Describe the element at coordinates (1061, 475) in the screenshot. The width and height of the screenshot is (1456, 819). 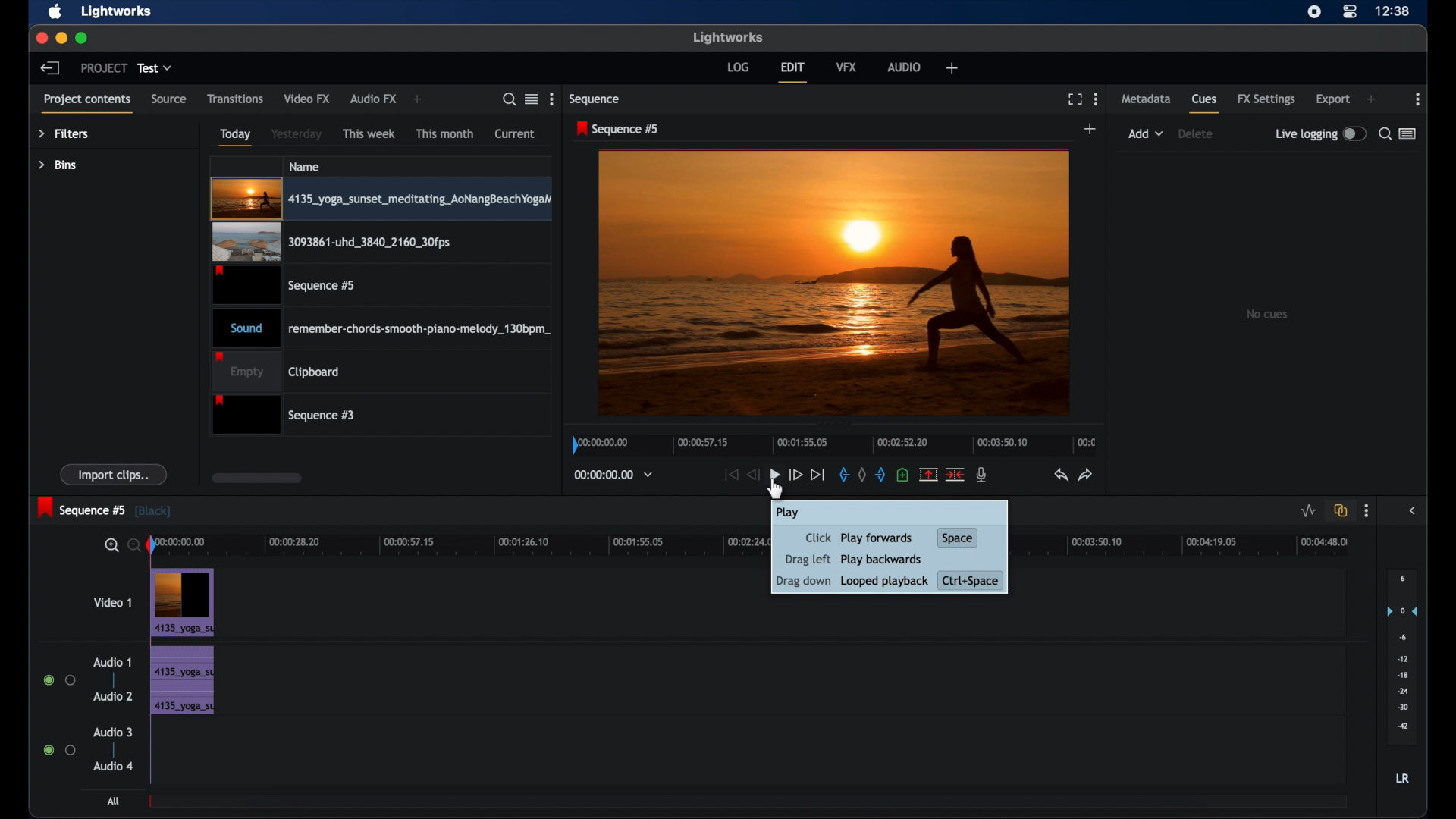
I see `undo` at that location.